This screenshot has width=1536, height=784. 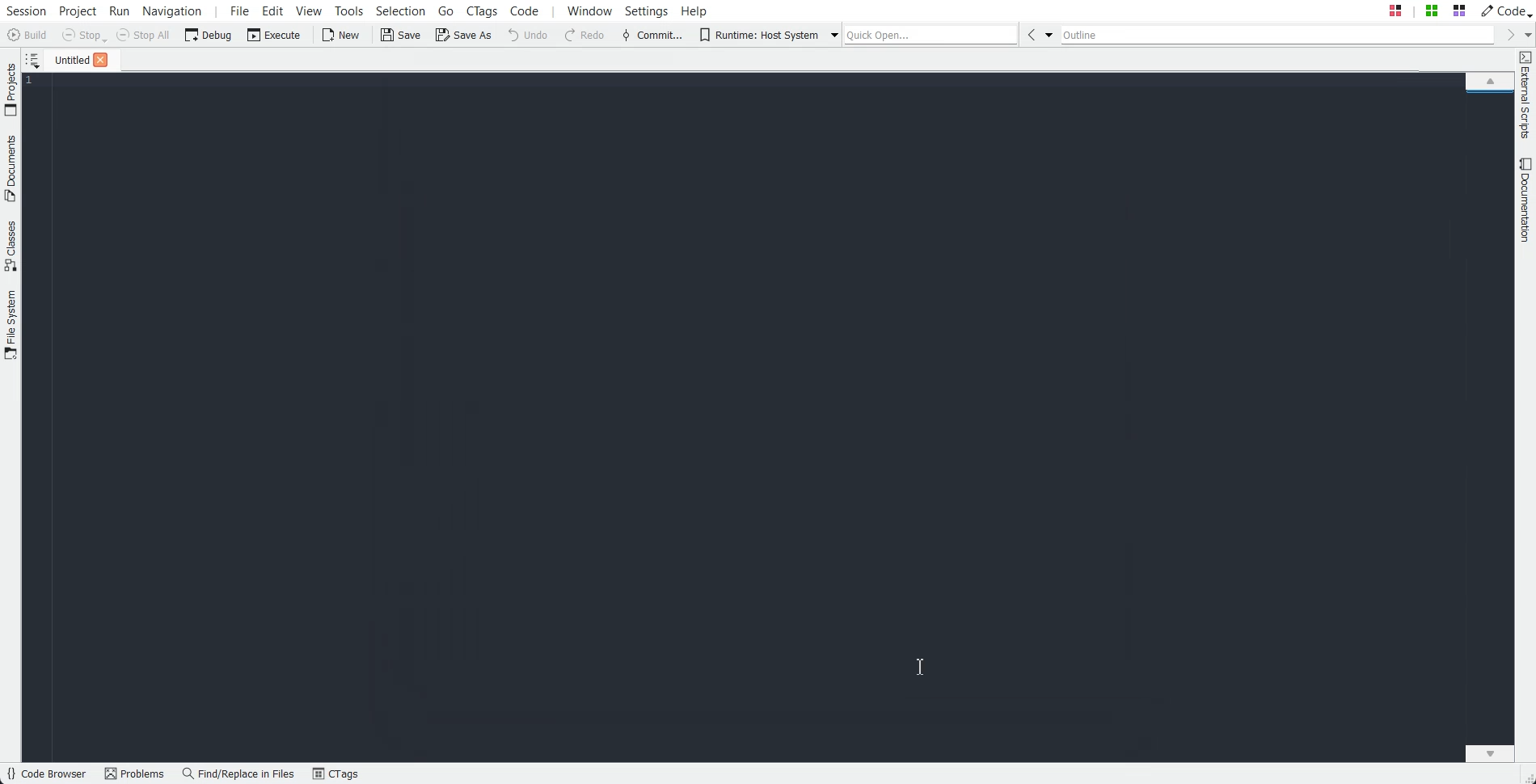 What do you see at coordinates (652, 36) in the screenshot?
I see `Commit` at bounding box center [652, 36].